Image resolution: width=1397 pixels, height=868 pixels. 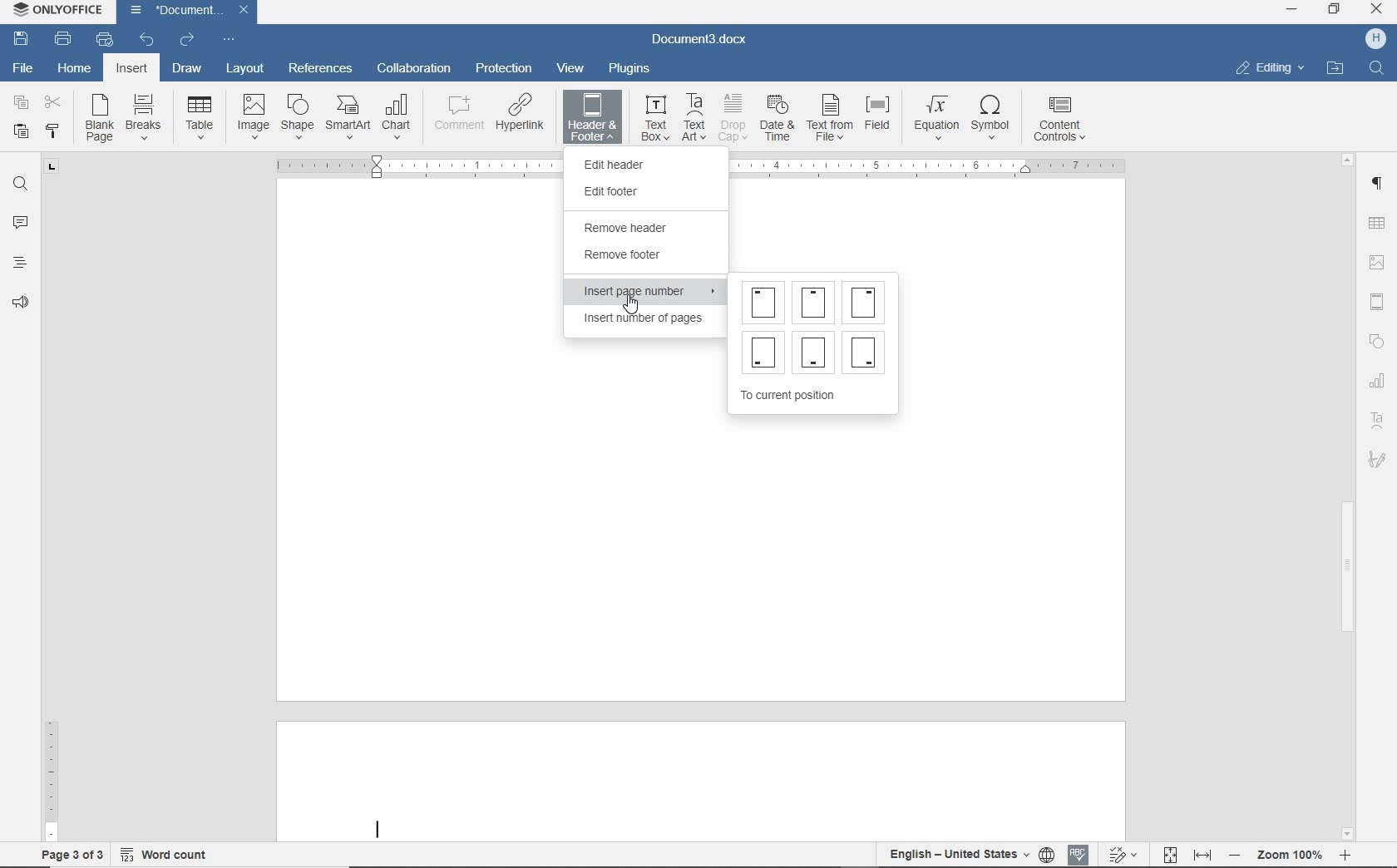 I want to click on REMOVE HEADER, so click(x=644, y=226).